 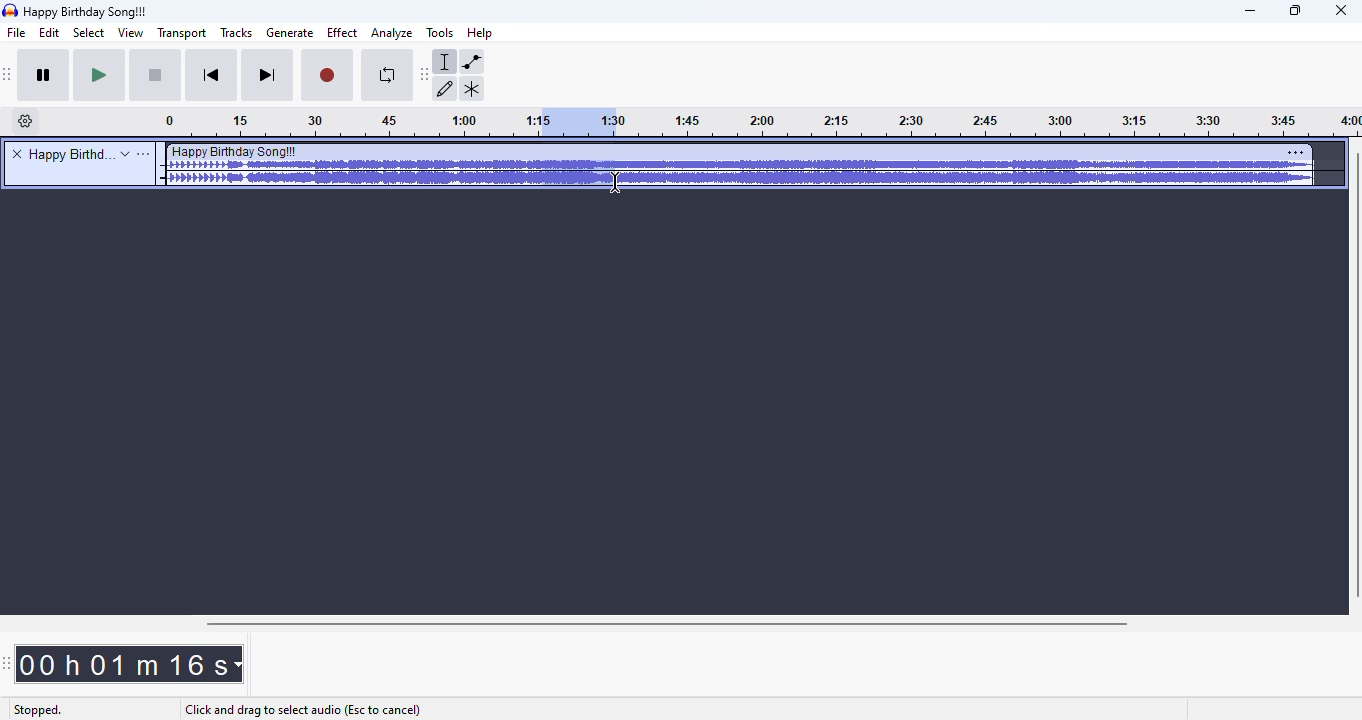 I want to click on logo, so click(x=10, y=10).